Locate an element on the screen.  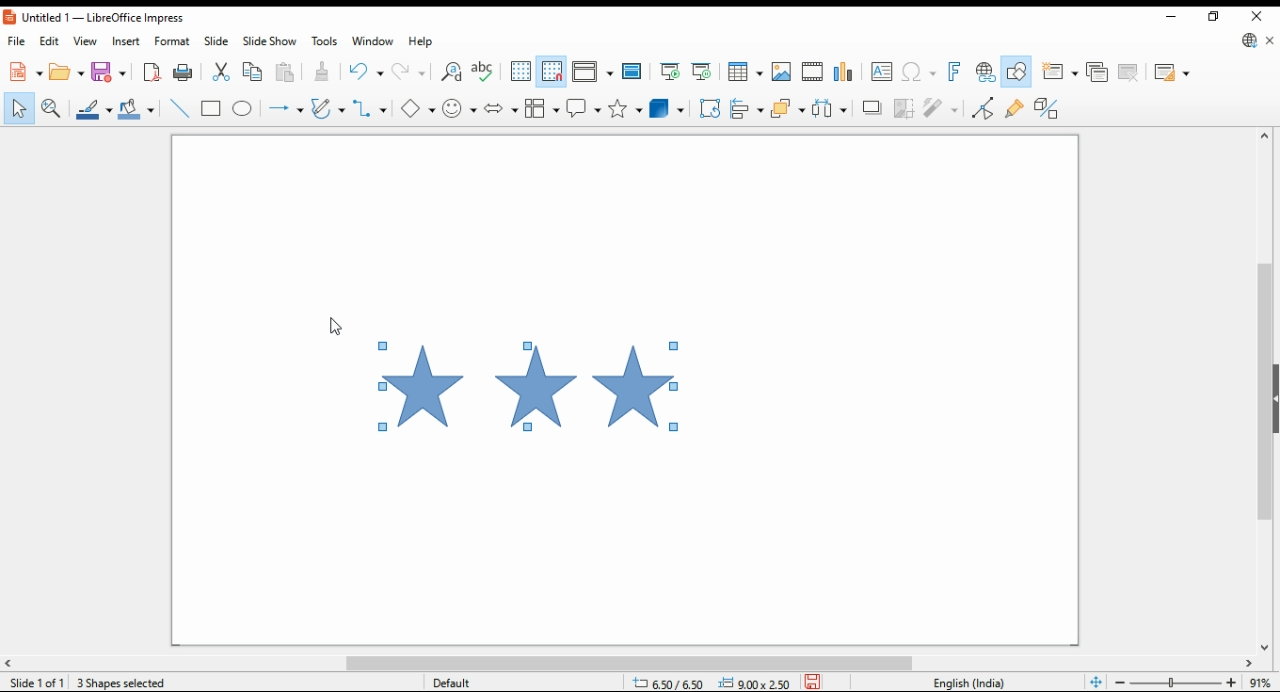
close document is located at coordinates (1268, 38).